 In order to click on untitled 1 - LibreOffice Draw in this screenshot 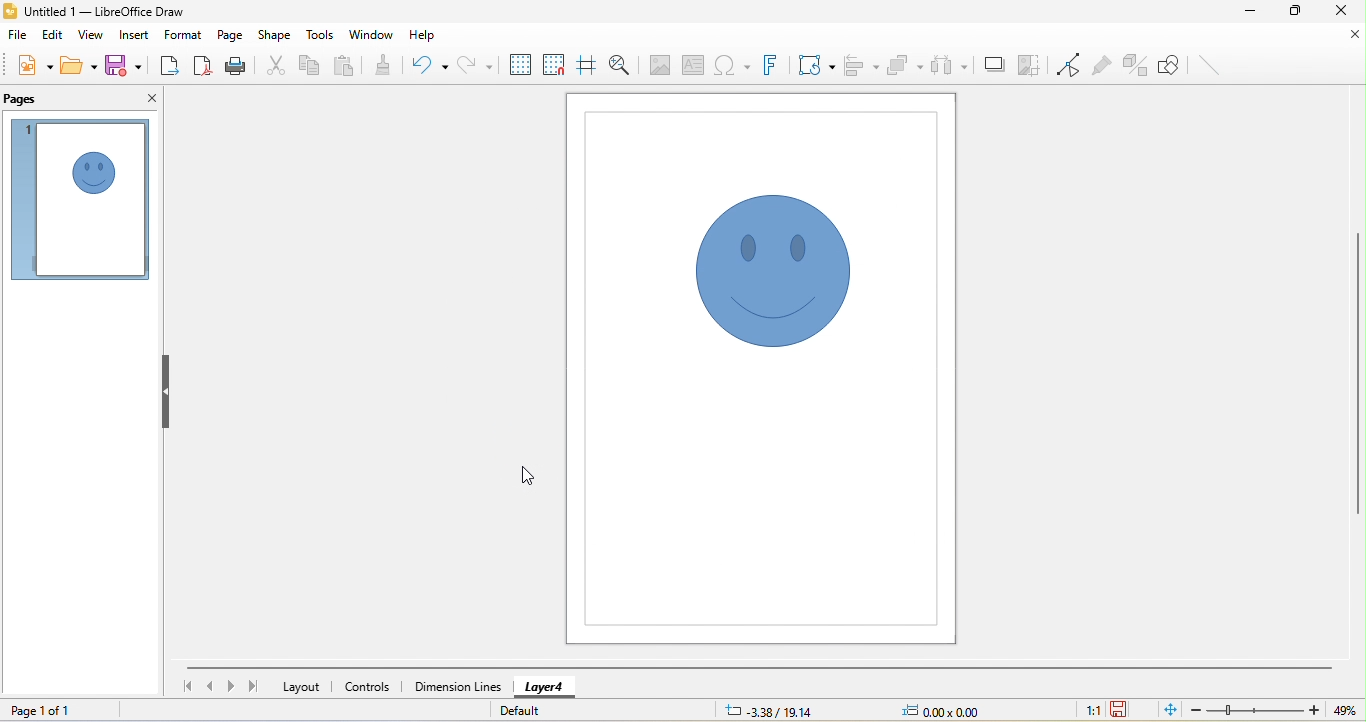, I will do `click(107, 12)`.